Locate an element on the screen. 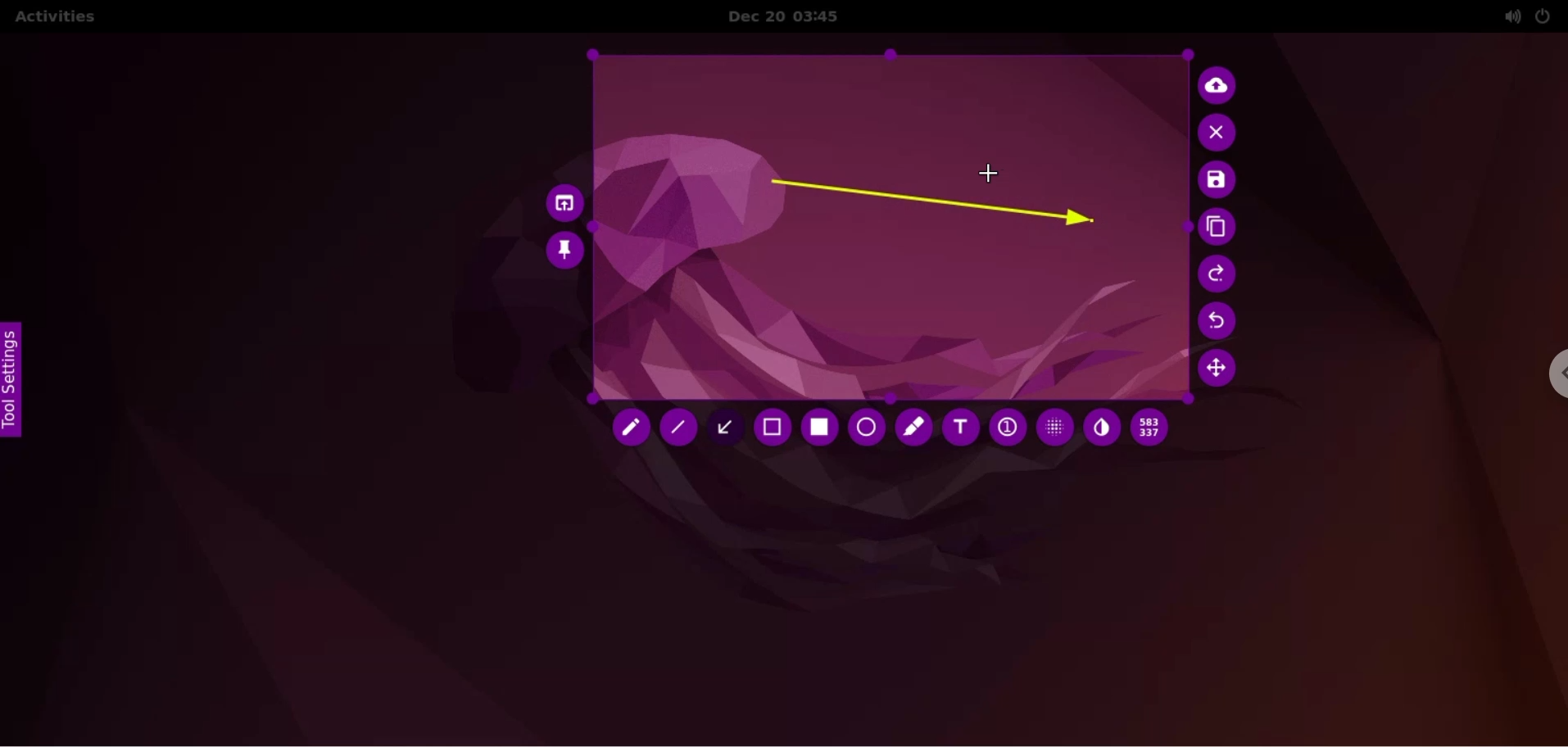 The image size is (1568, 747). undo is located at coordinates (1221, 321).